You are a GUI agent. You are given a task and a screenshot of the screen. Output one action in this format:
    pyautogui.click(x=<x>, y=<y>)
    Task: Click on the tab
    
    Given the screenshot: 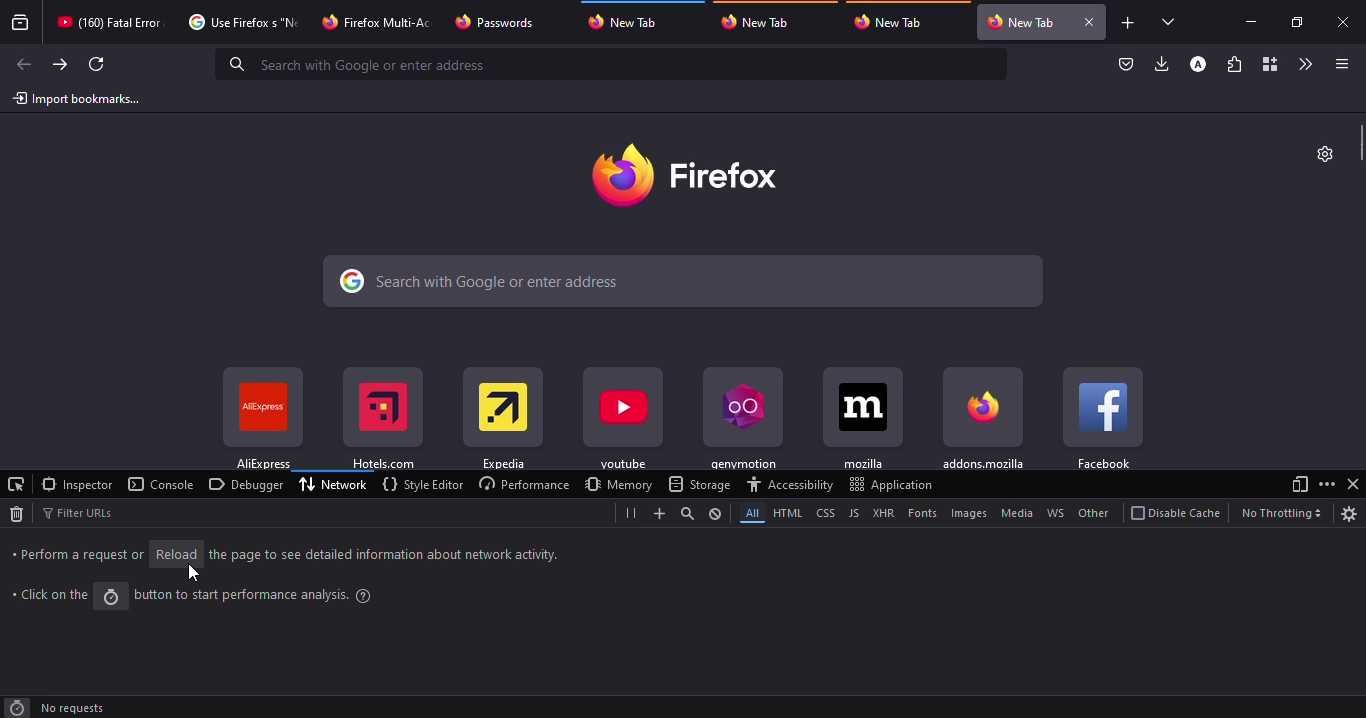 What is the action you would take?
    pyautogui.click(x=245, y=21)
    